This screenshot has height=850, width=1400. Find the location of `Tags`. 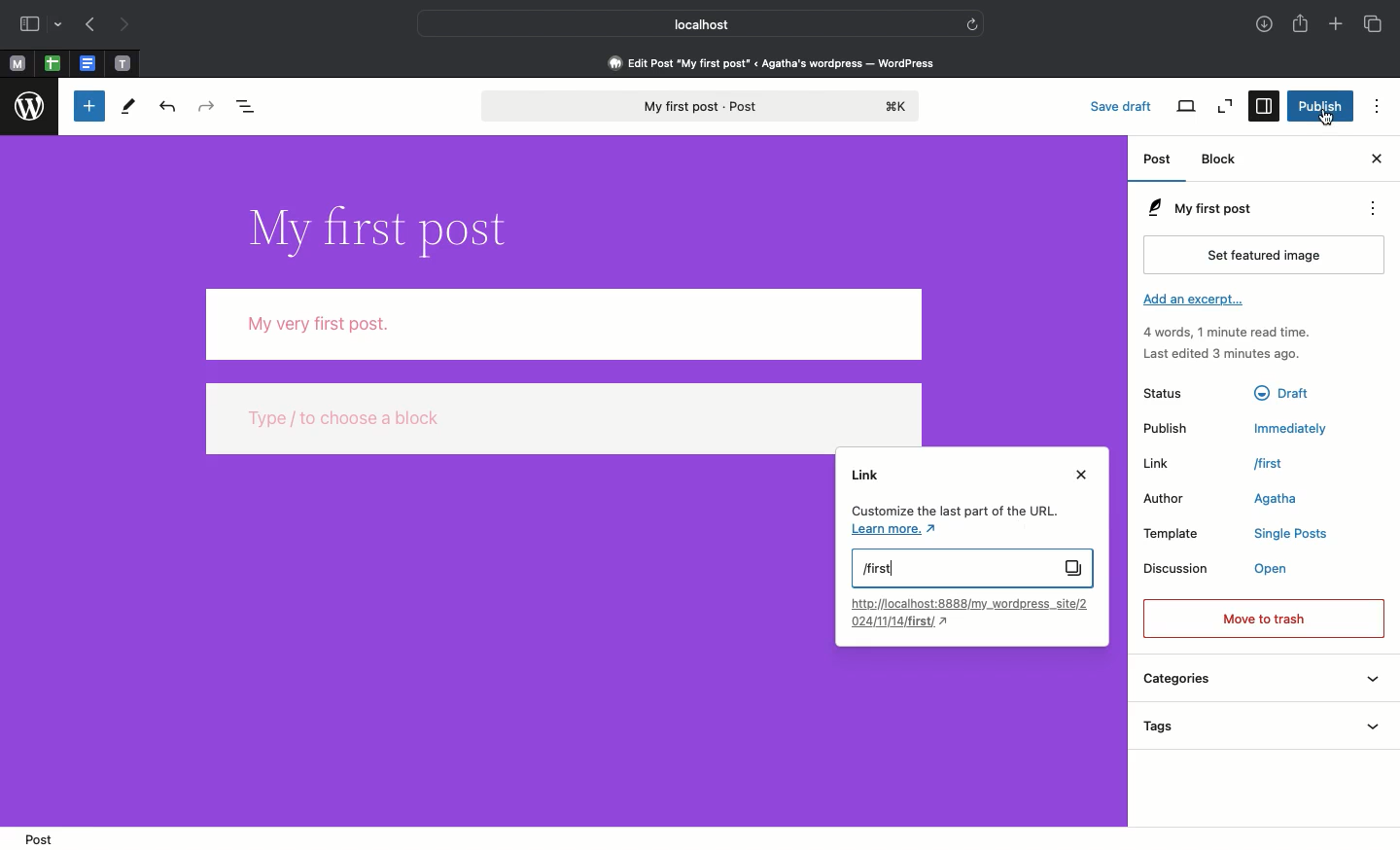

Tags is located at coordinates (1267, 724).